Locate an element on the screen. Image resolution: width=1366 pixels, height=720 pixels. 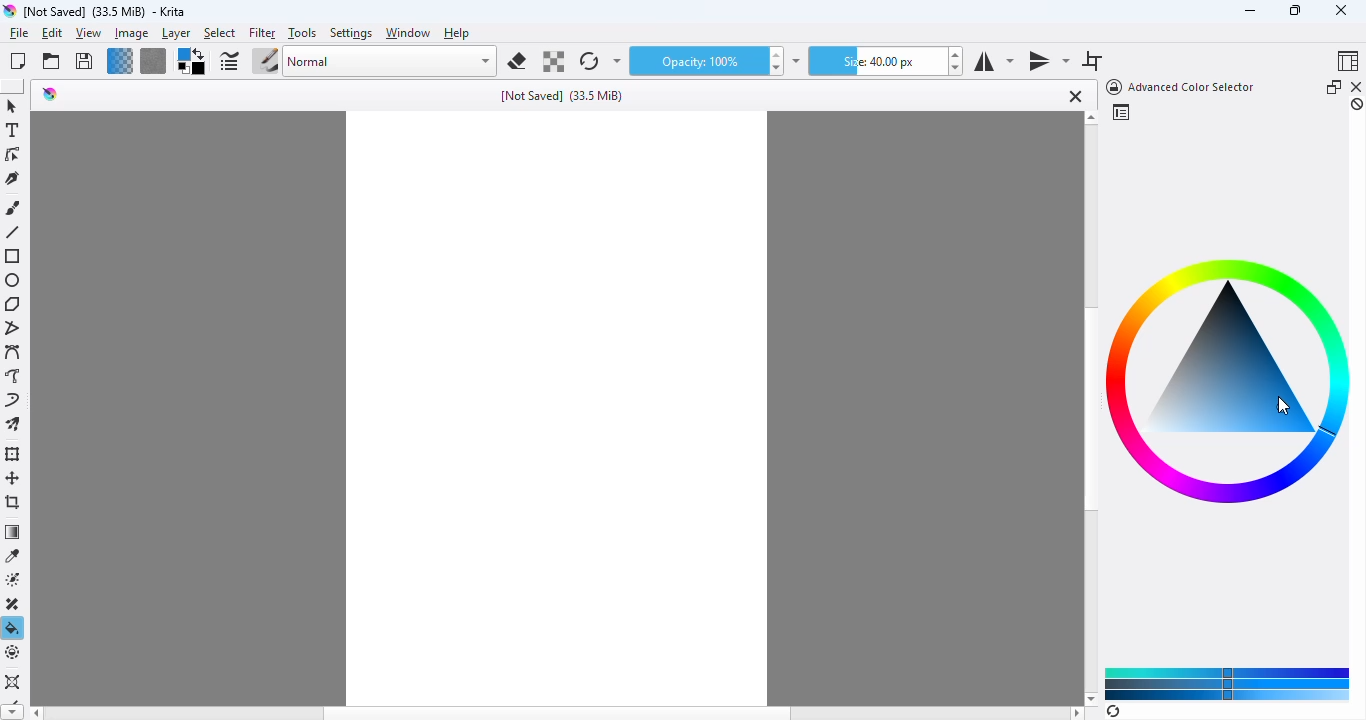
close is located at coordinates (1073, 96).